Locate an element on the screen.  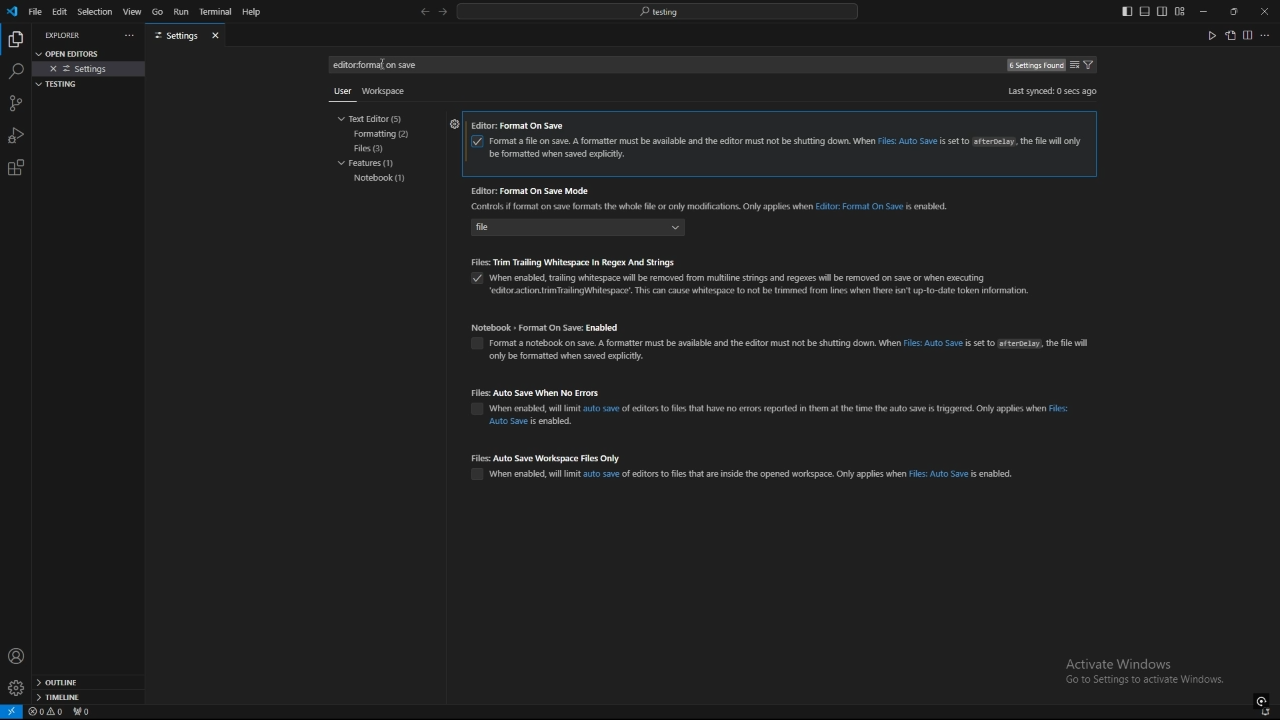
settings found is located at coordinates (1034, 66).